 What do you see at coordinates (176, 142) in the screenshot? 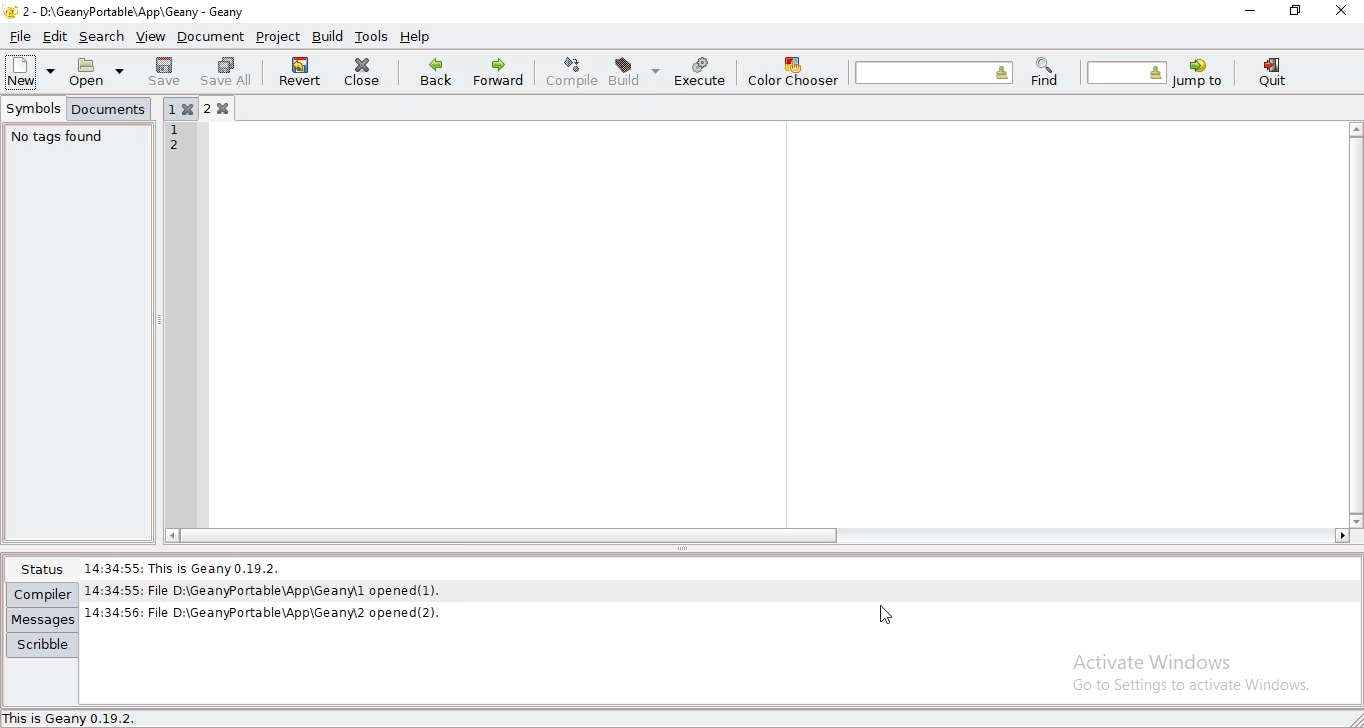
I see `12` at bounding box center [176, 142].